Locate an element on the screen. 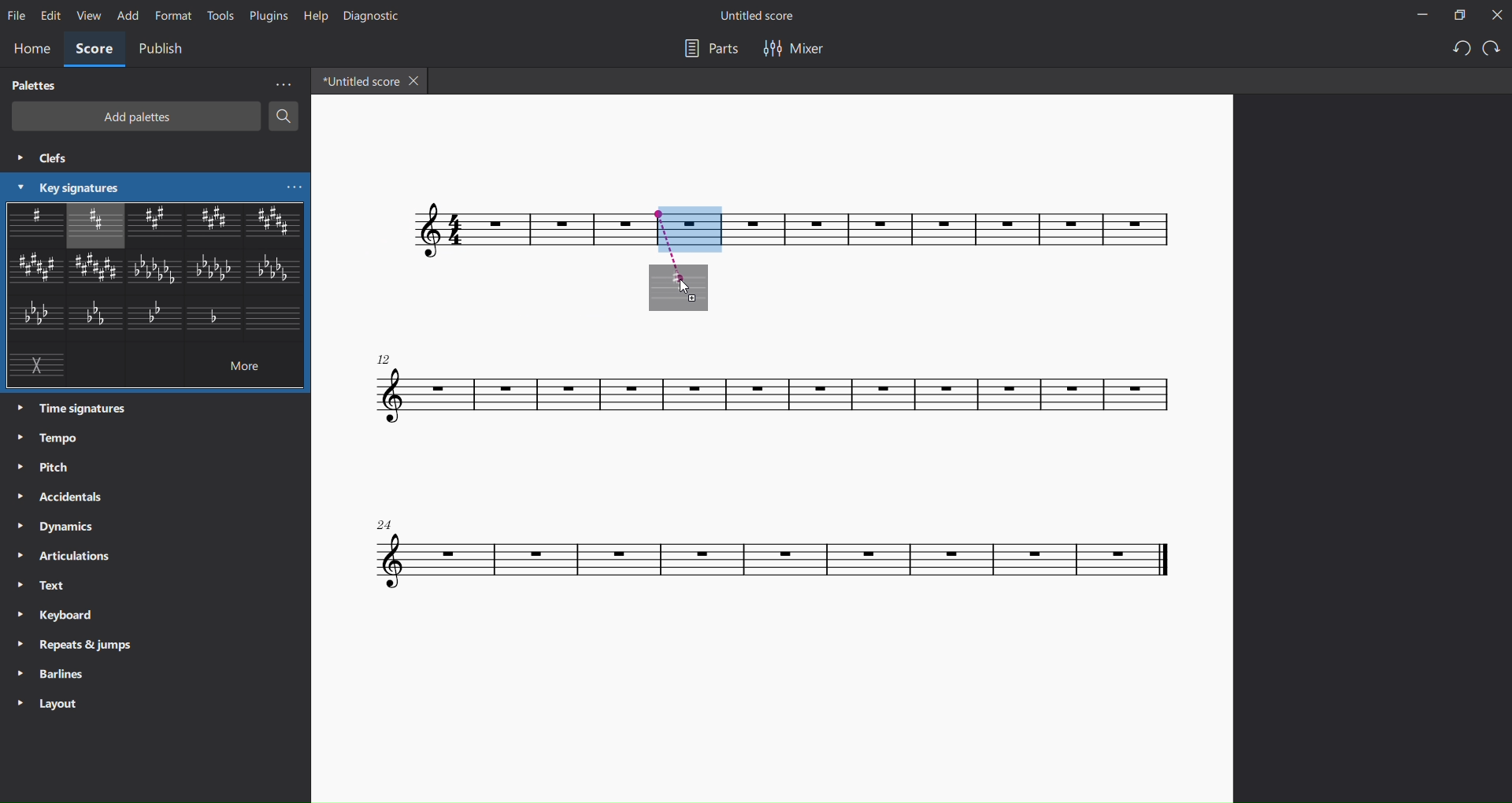 This screenshot has height=803, width=1512. text is located at coordinates (47, 586).